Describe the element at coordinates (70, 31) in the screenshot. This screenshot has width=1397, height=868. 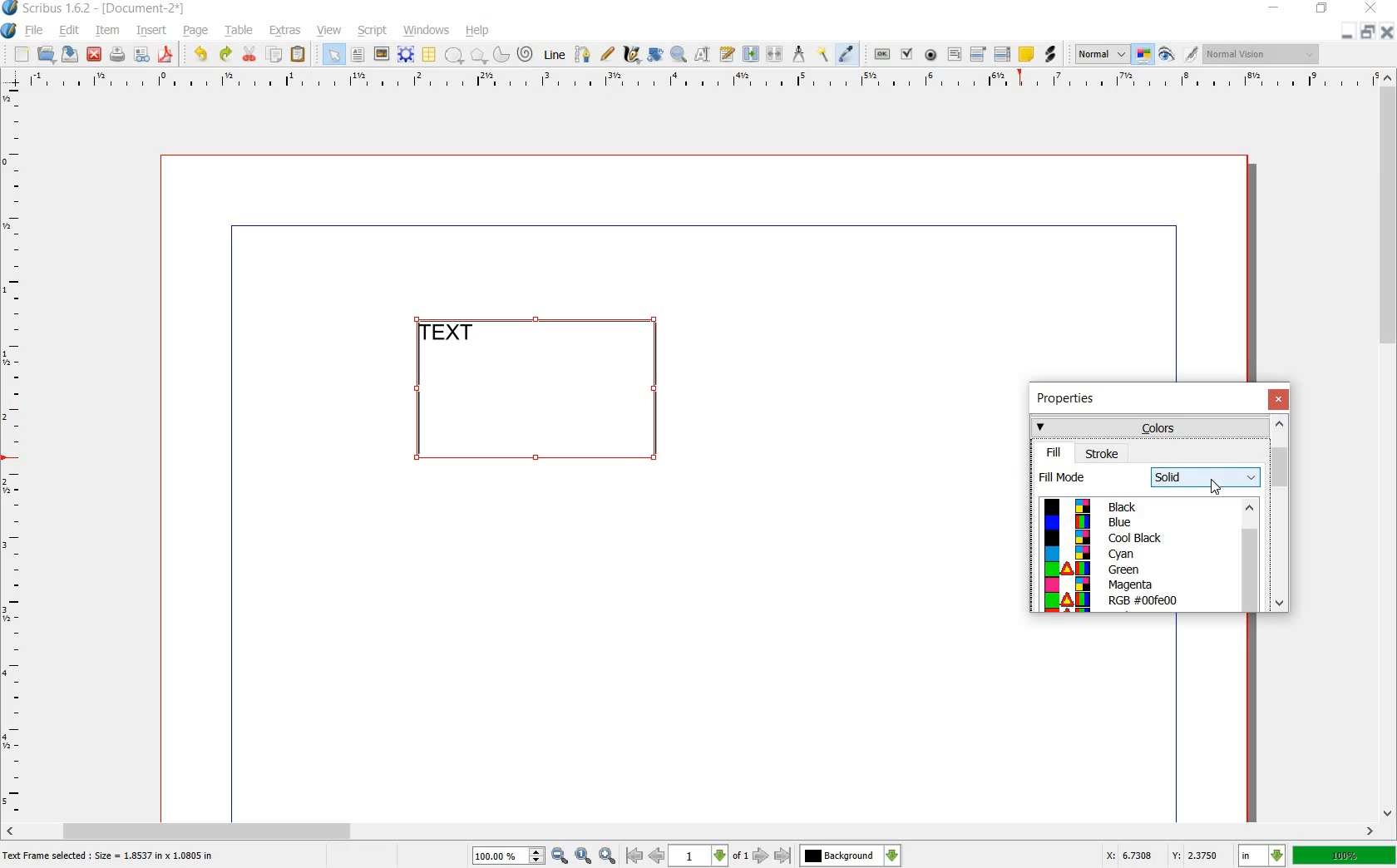
I see `edit` at that location.